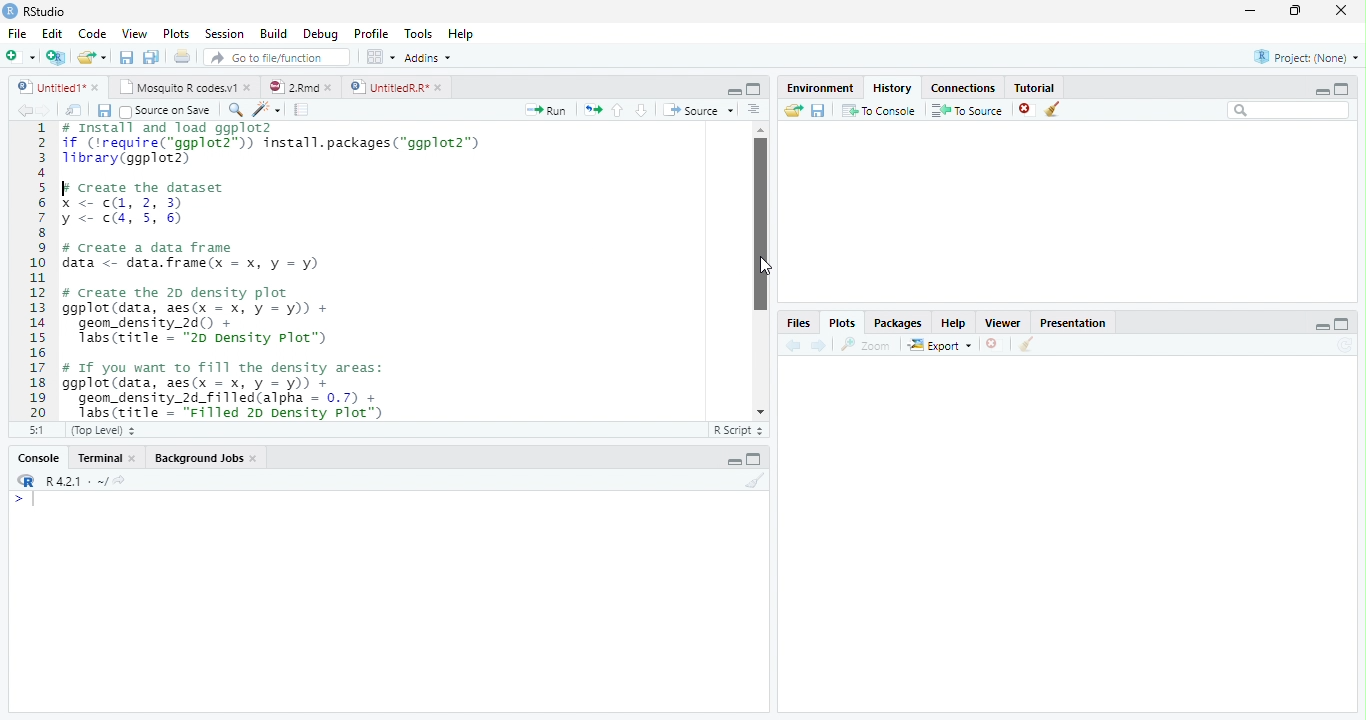 This screenshot has height=720, width=1366. Describe the element at coordinates (267, 110) in the screenshot. I see `code tool` at that location.